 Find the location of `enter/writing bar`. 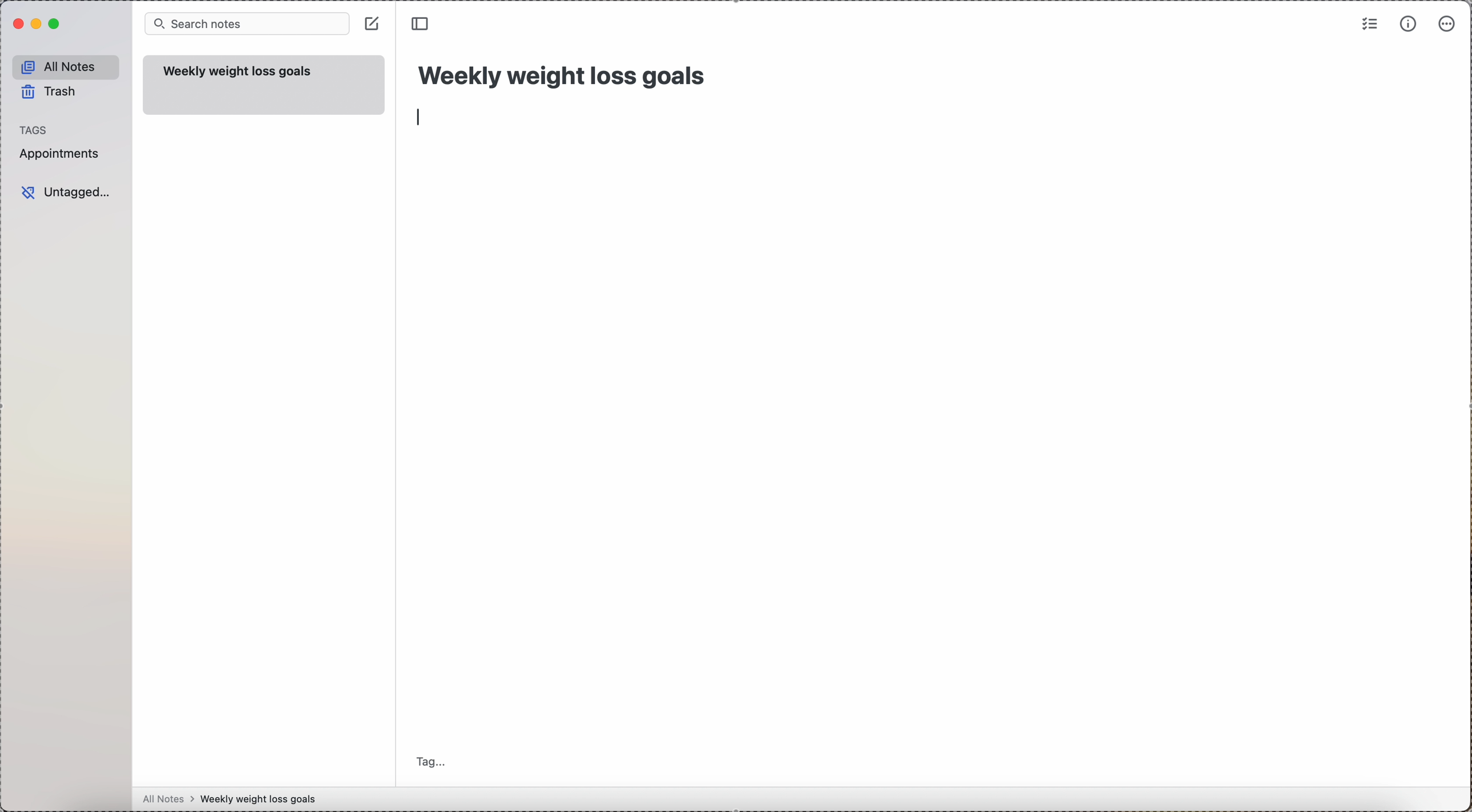

enter/writing bar is located at coordinates (421, 116).